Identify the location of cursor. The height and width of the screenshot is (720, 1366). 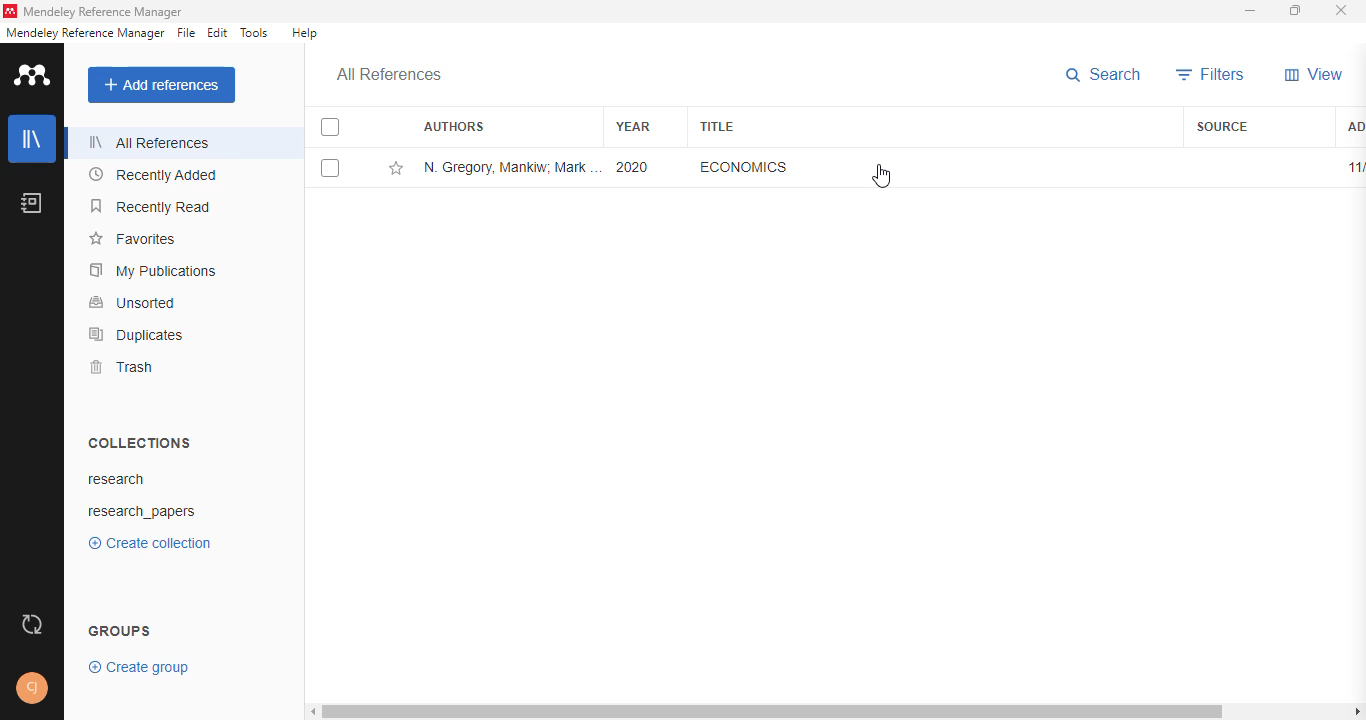
(883, 177).